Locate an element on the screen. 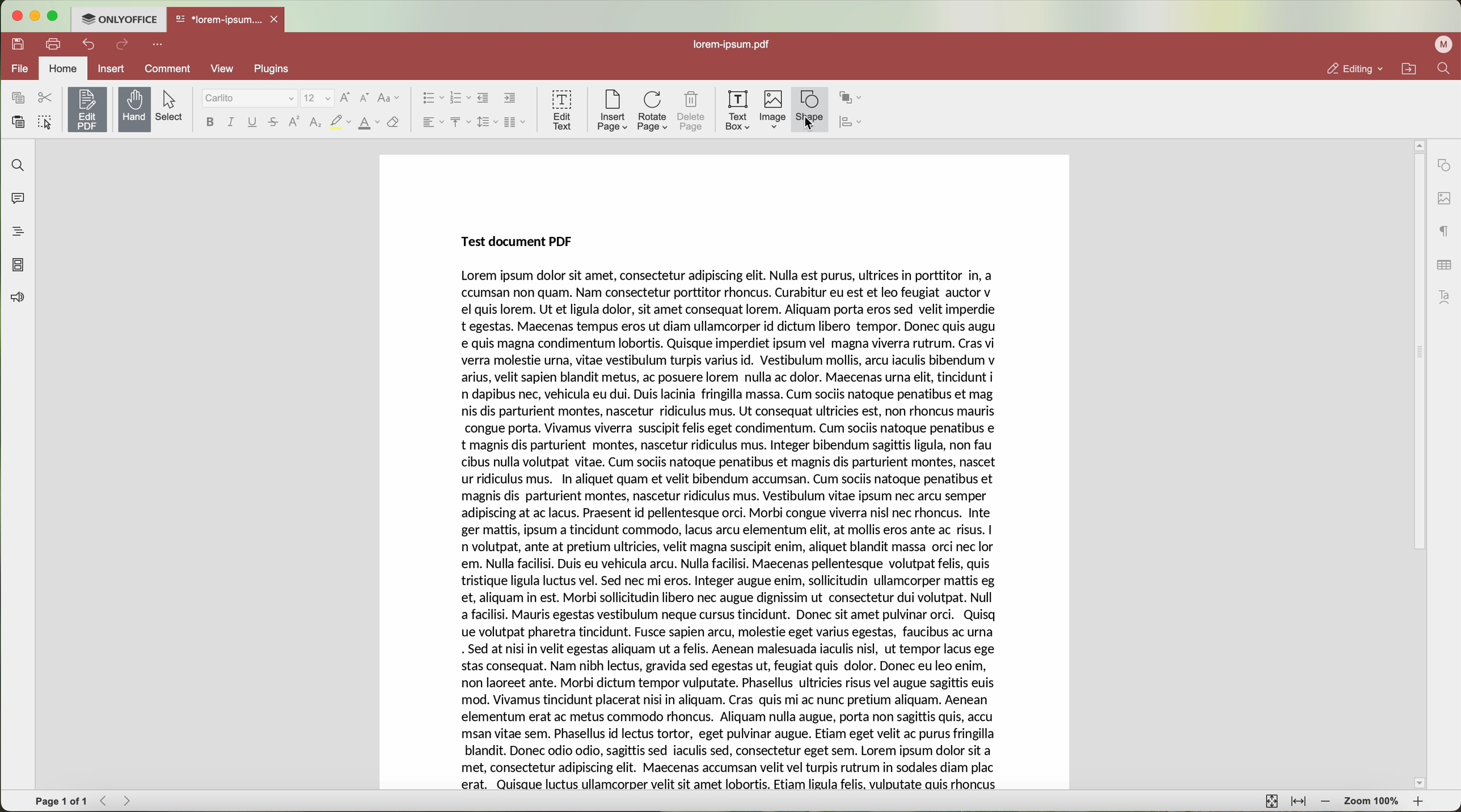 Image resolution: width=1461 pixels, height=812 pixels. file is located at coordinates (19, 68).